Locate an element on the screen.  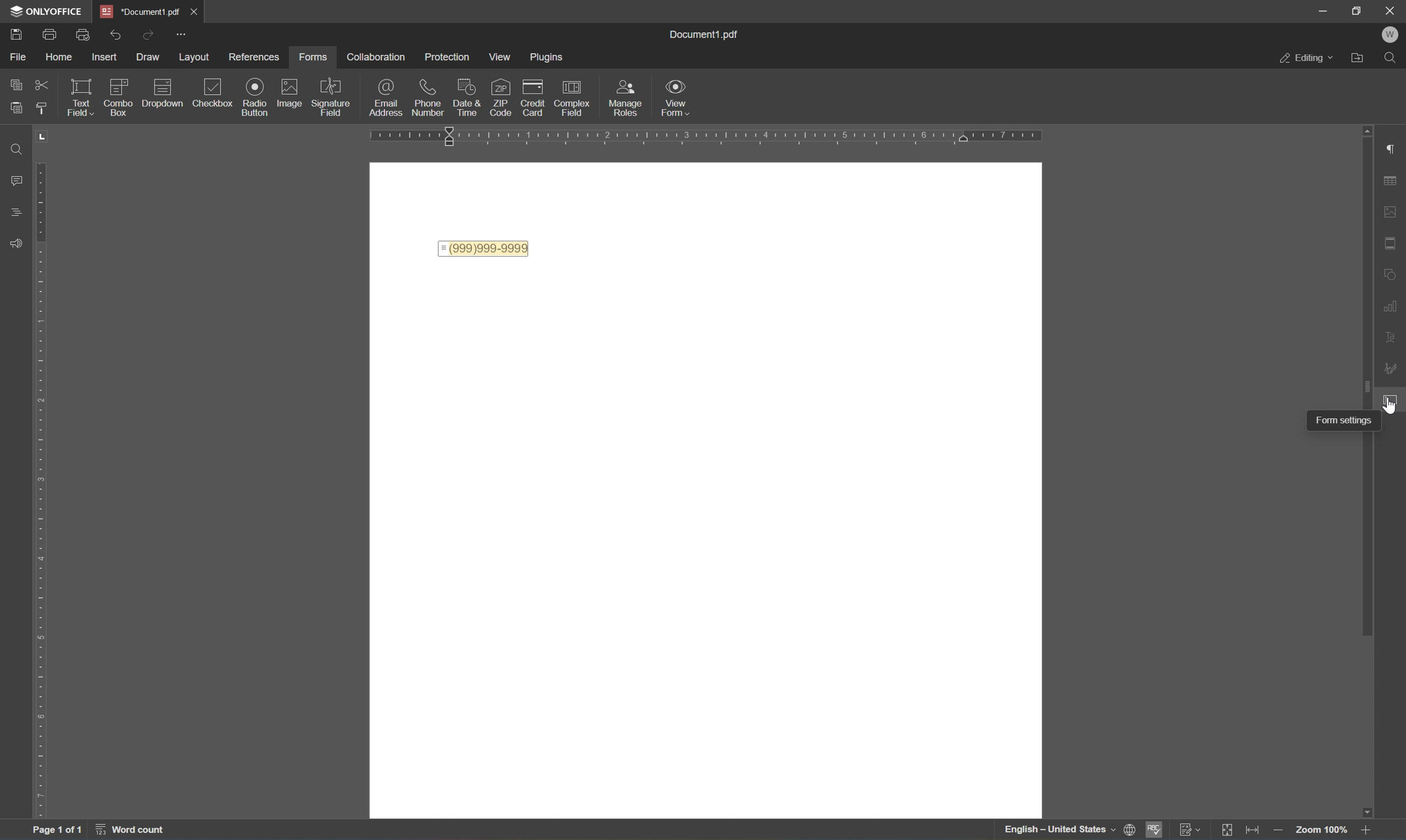
print is located at coordinates (84, 36).